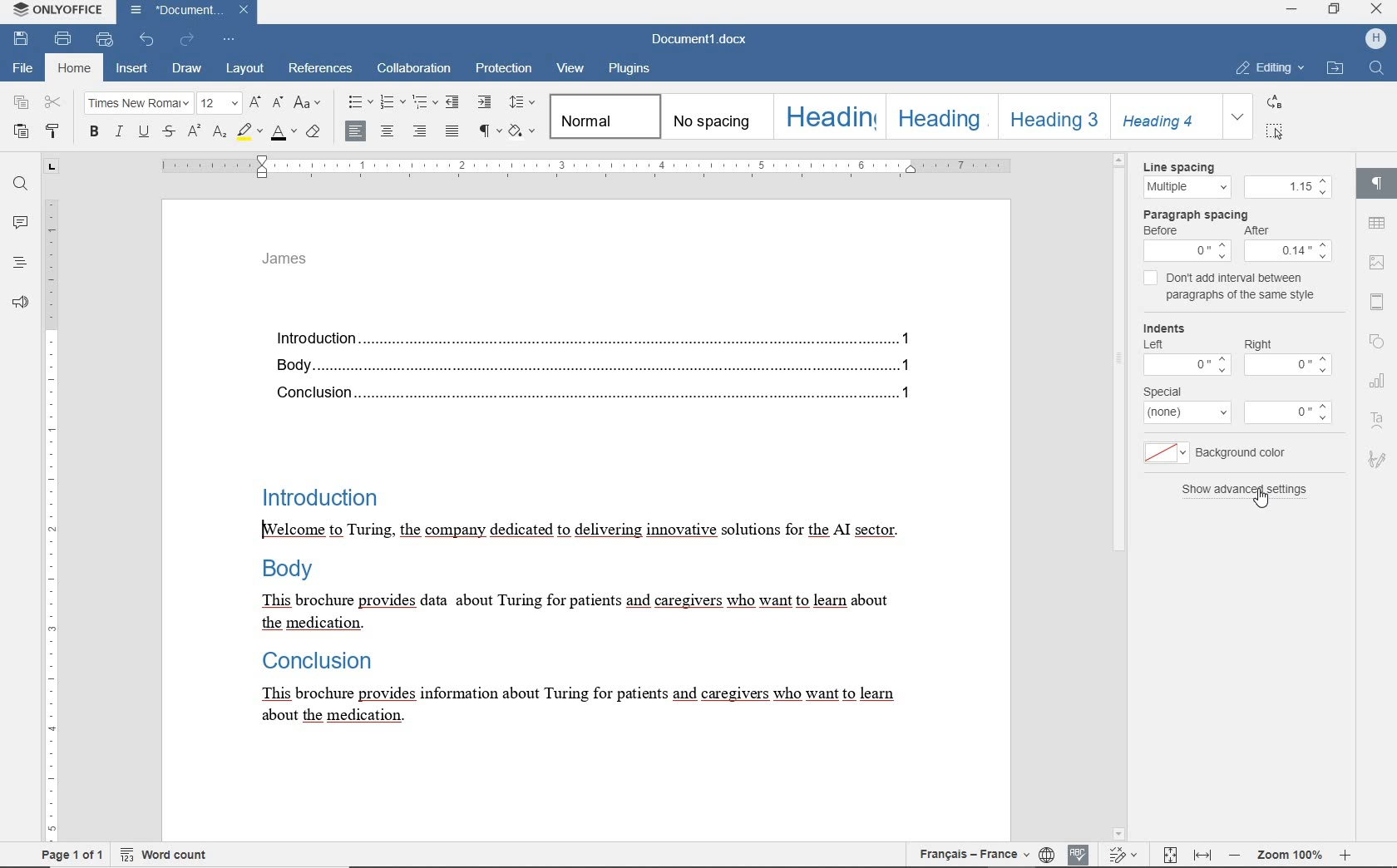  What do you see at coordinates (1336, 11) in the screenshot?
I see `restore down` at bounding box center [1336, 11].